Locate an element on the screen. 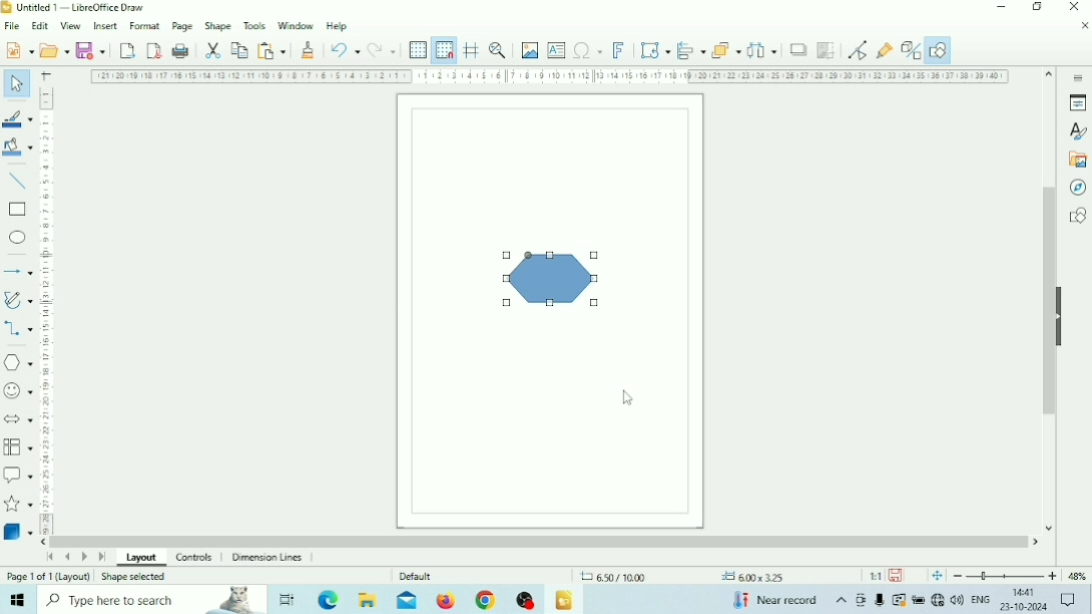 Image resolution: width=1092 pixels, height=614 pixels. Block Arrows is located at coordinates (18, 418).